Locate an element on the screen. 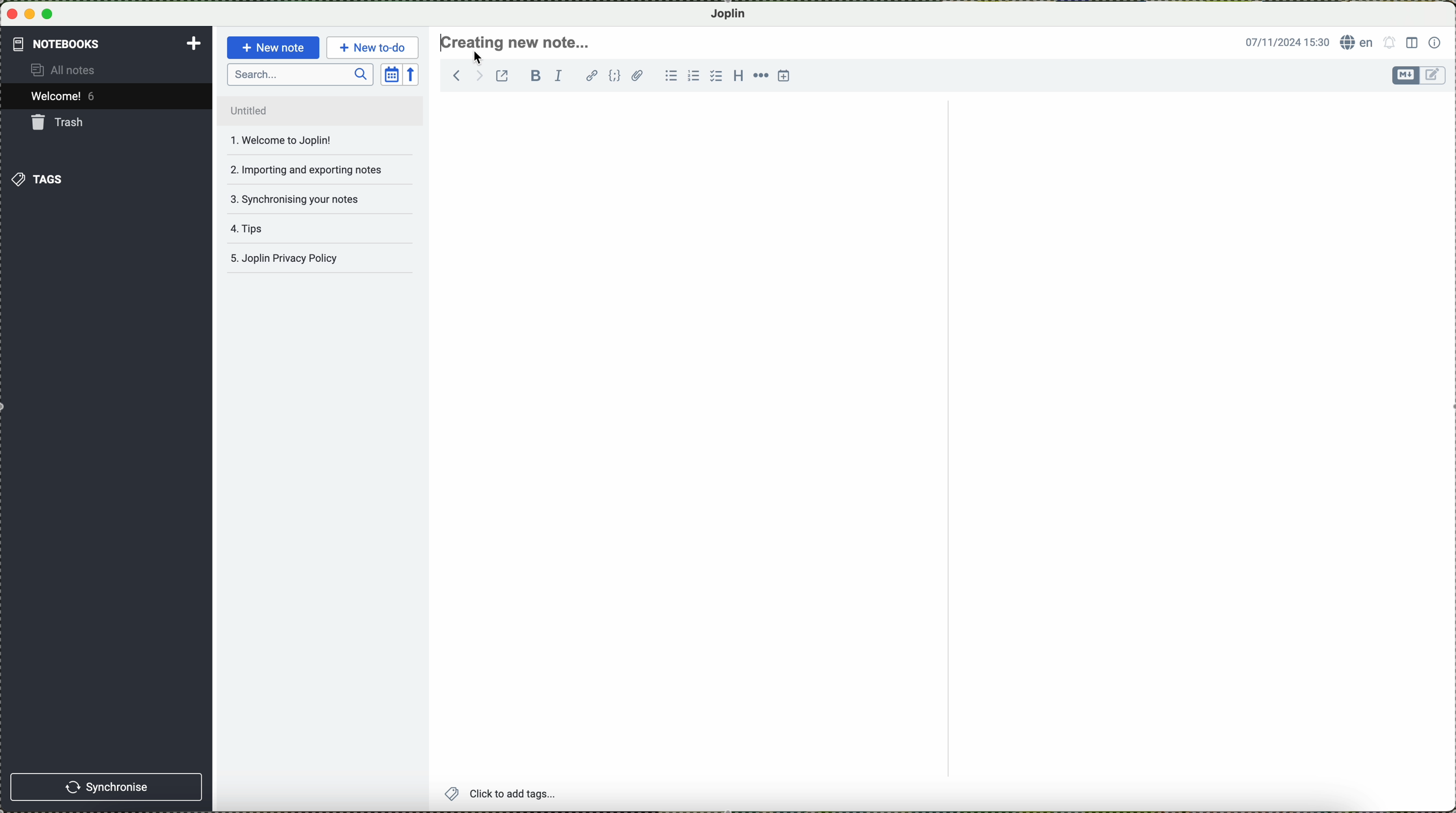  welcome to joplin is located at coordinates (302, 141).